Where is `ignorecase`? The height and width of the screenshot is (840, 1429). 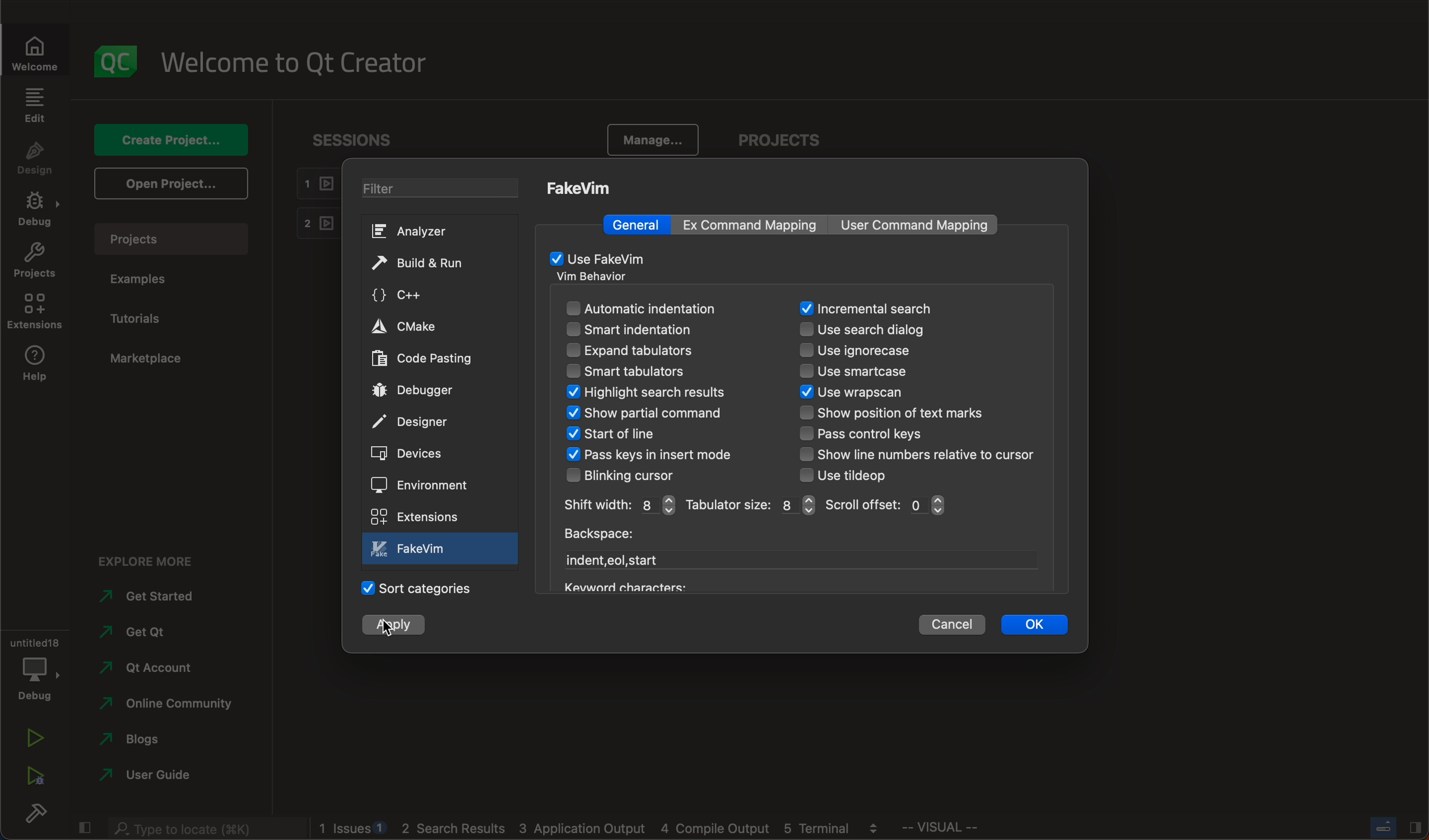
ignorecase is located at coordinates (860, 351).